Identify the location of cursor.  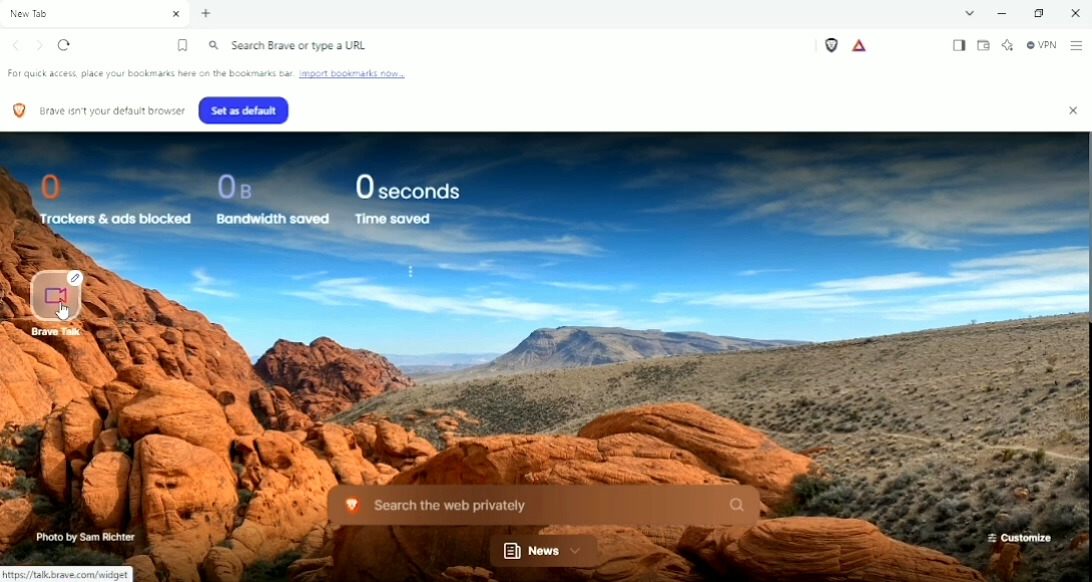
(64, 313).